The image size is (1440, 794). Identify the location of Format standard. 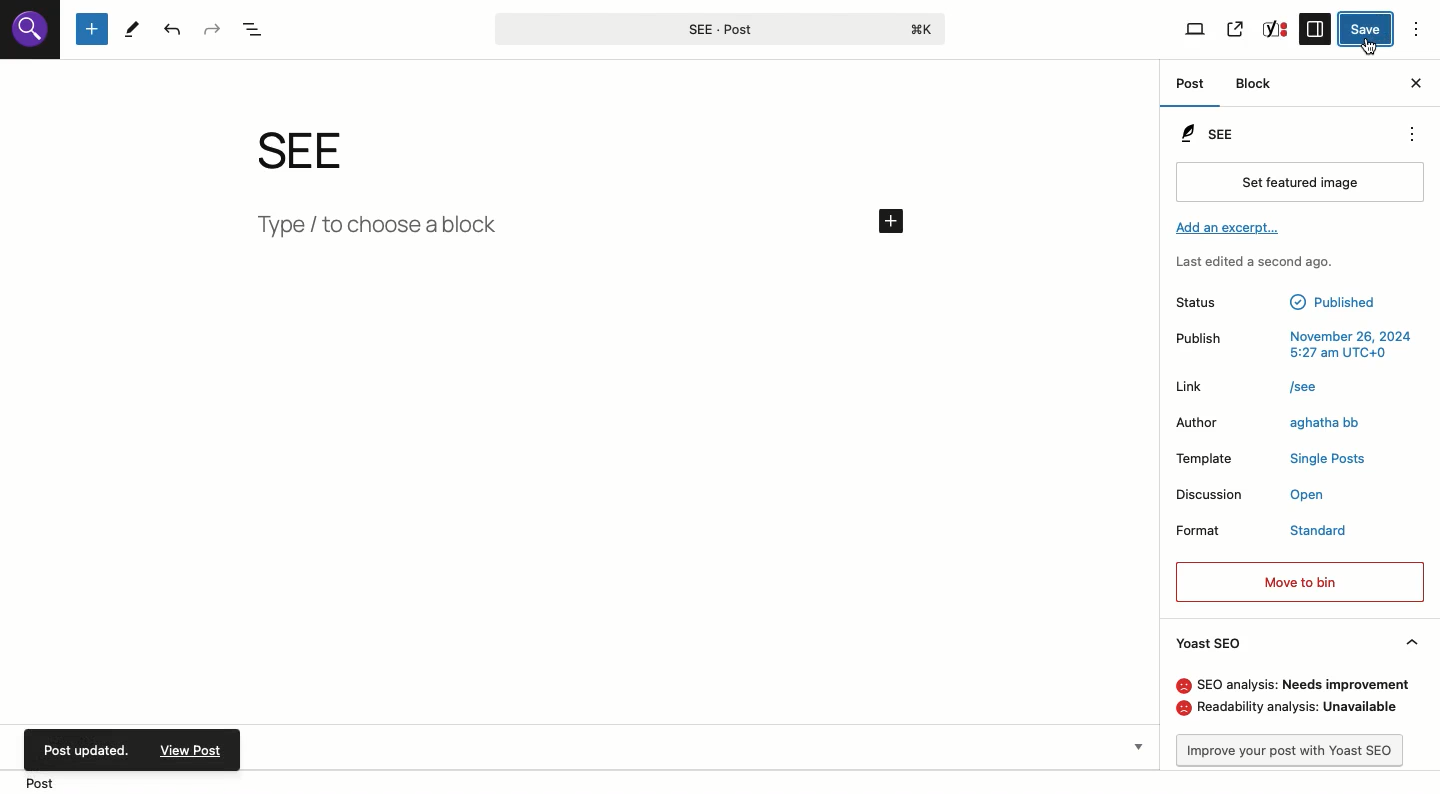
(1264, 533).